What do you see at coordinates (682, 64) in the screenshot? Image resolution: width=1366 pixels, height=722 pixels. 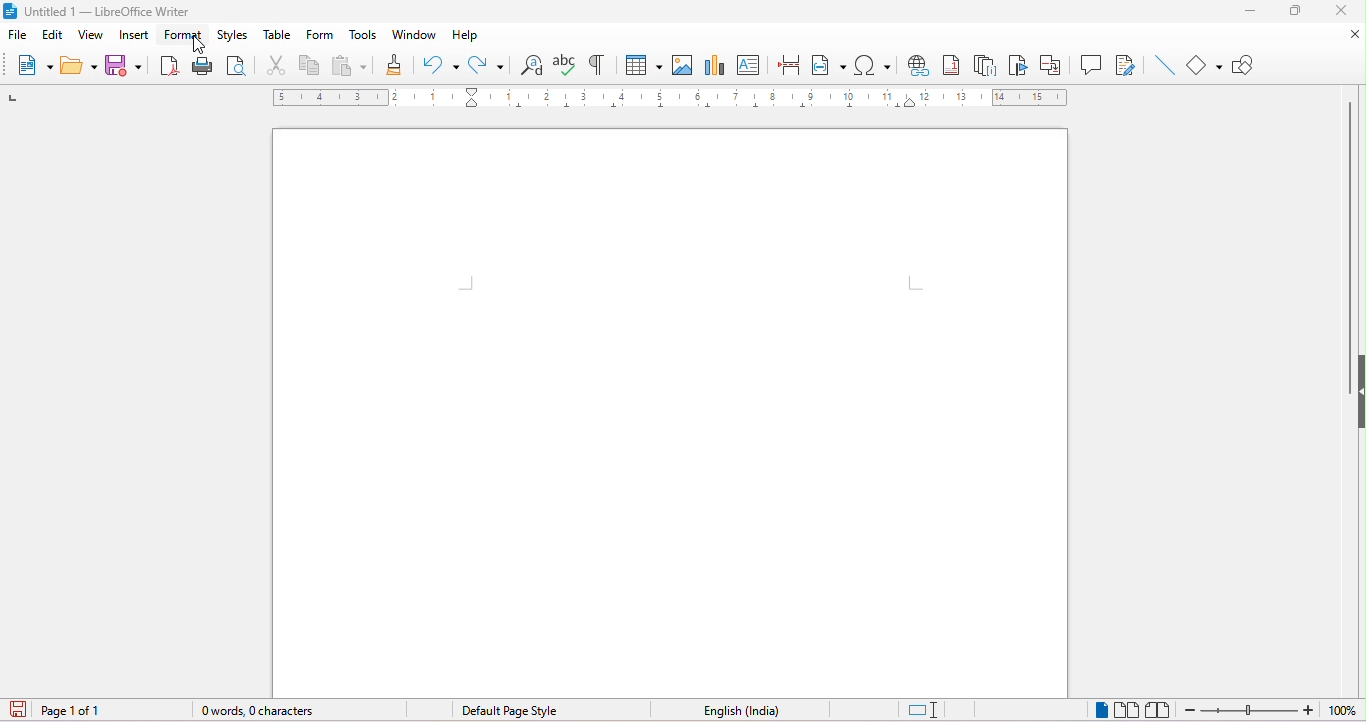 I see `insert image` at bounding box center [682, 64].